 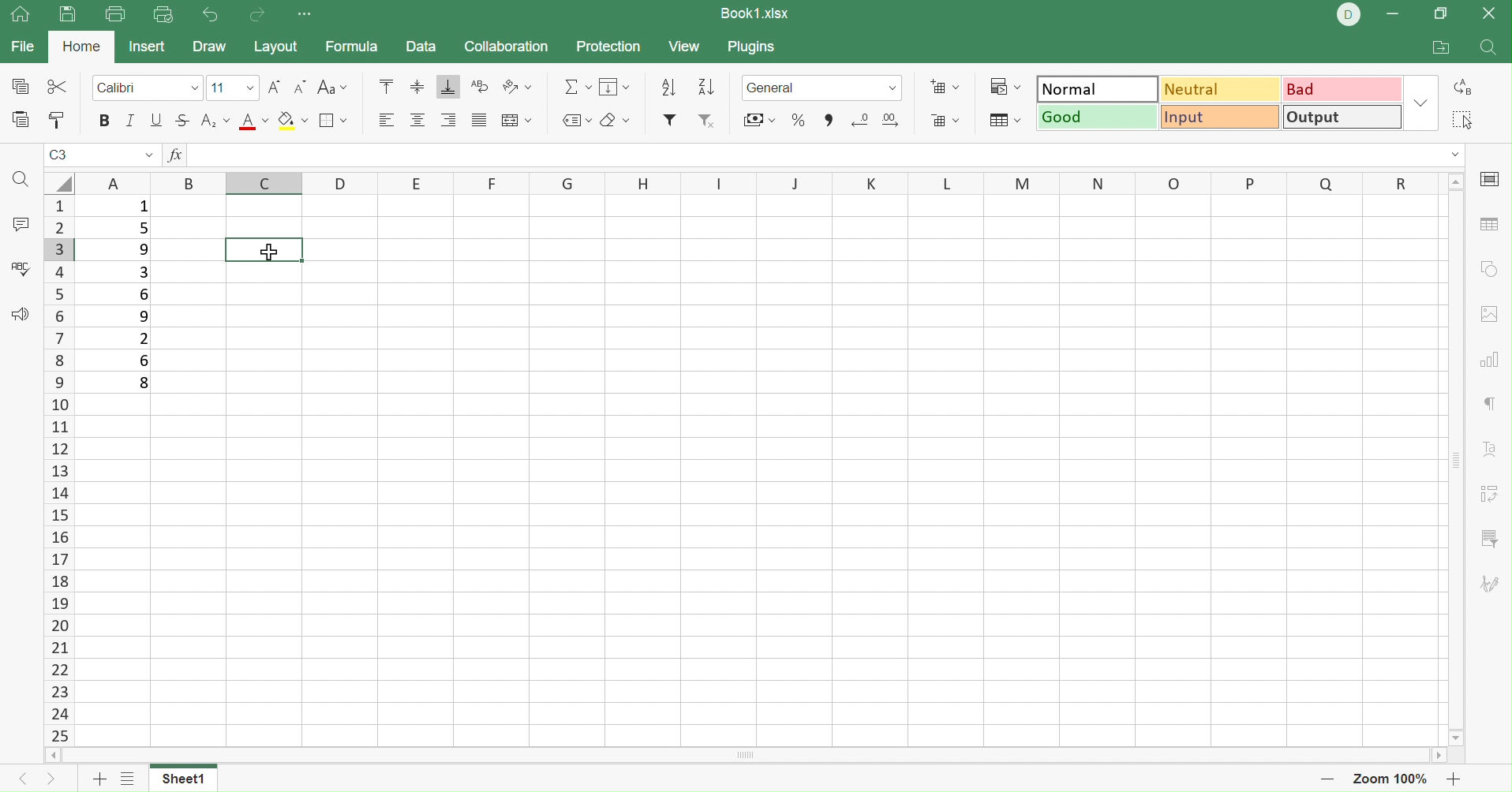 I want to click on Font size, so click(x=232, y=88).